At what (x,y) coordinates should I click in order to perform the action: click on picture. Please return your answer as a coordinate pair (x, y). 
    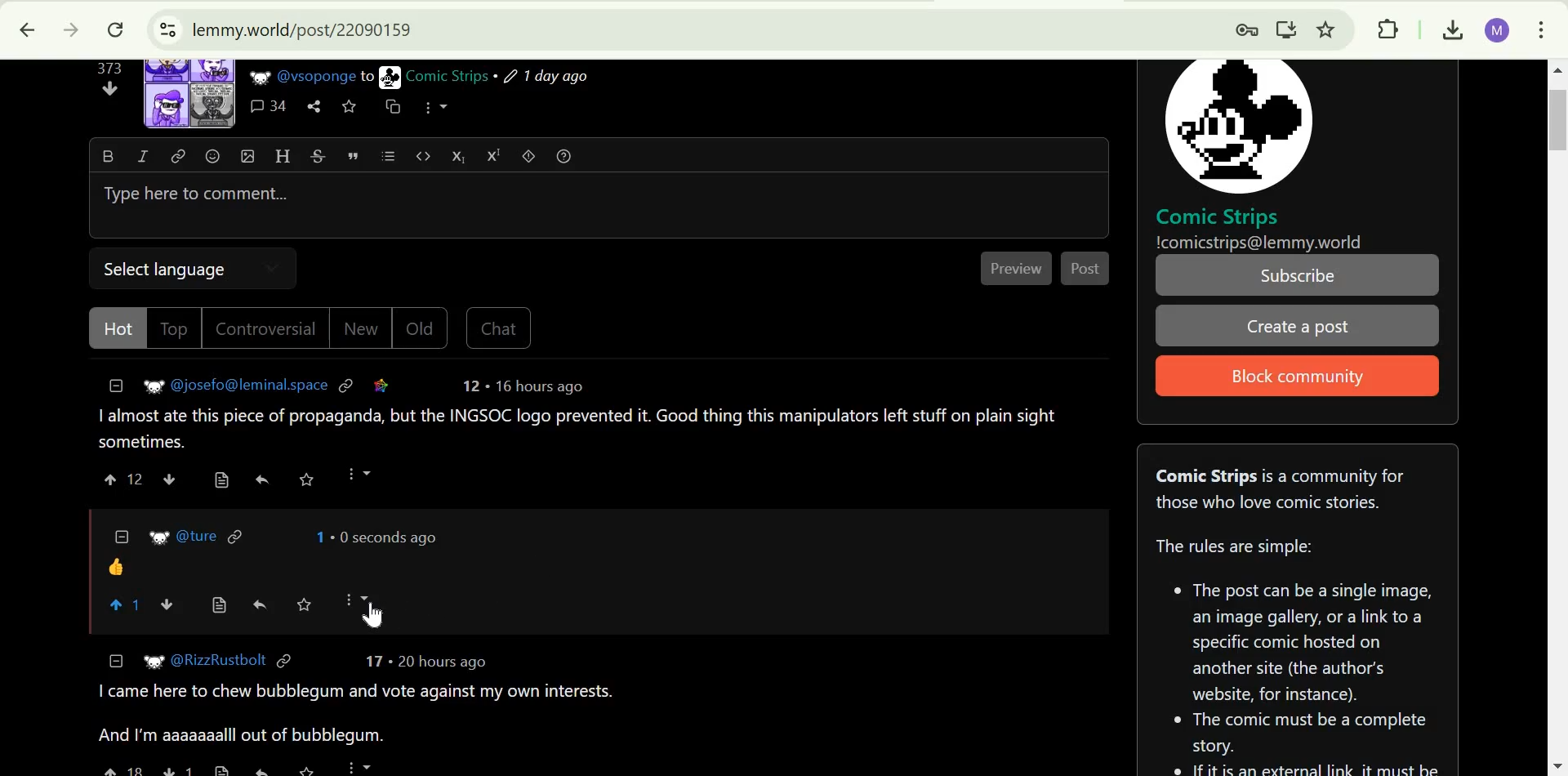
    Looking at the image, I should click on (147, 388).